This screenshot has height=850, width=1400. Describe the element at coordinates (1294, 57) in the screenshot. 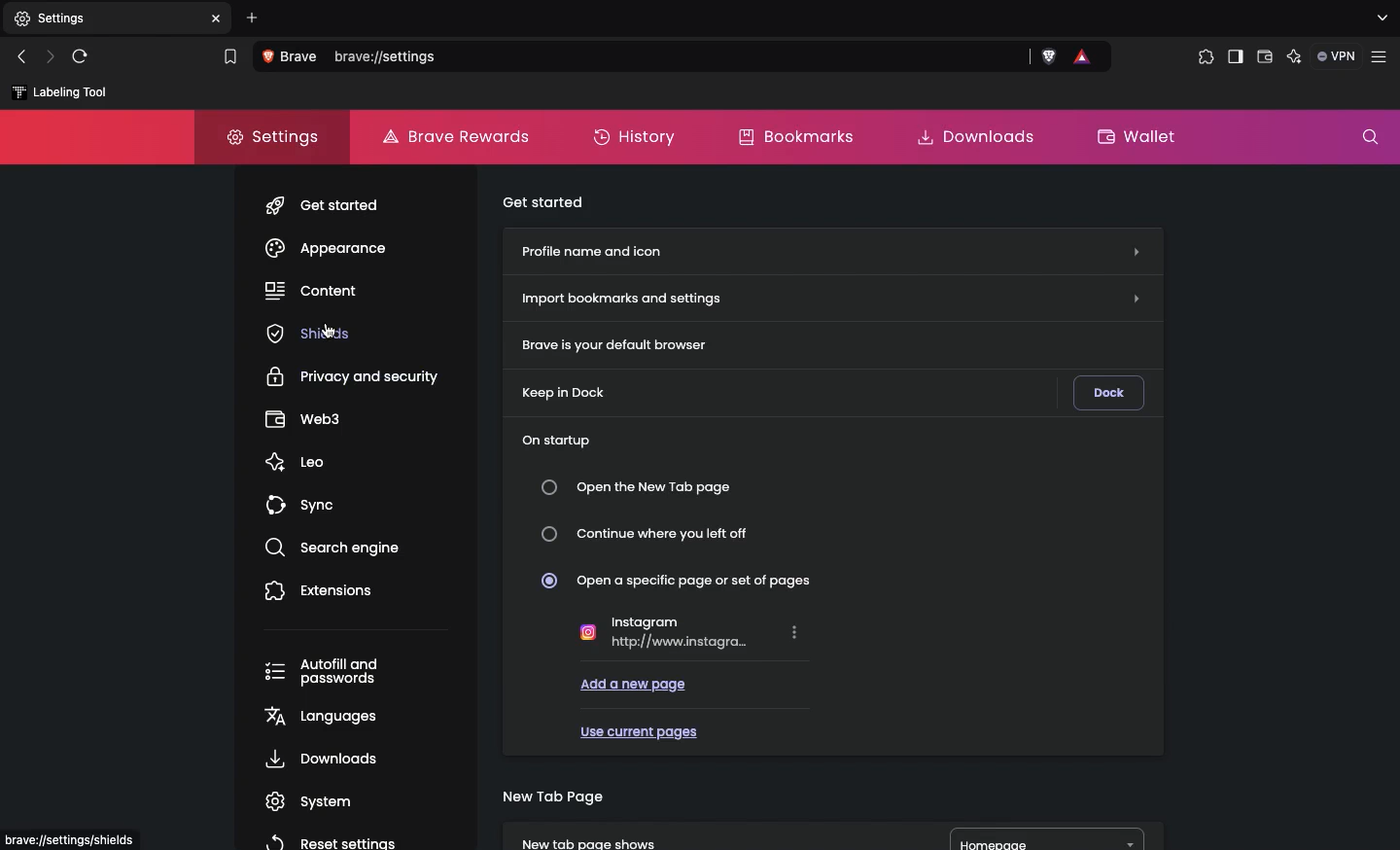

I see `Leo AI` at that location.